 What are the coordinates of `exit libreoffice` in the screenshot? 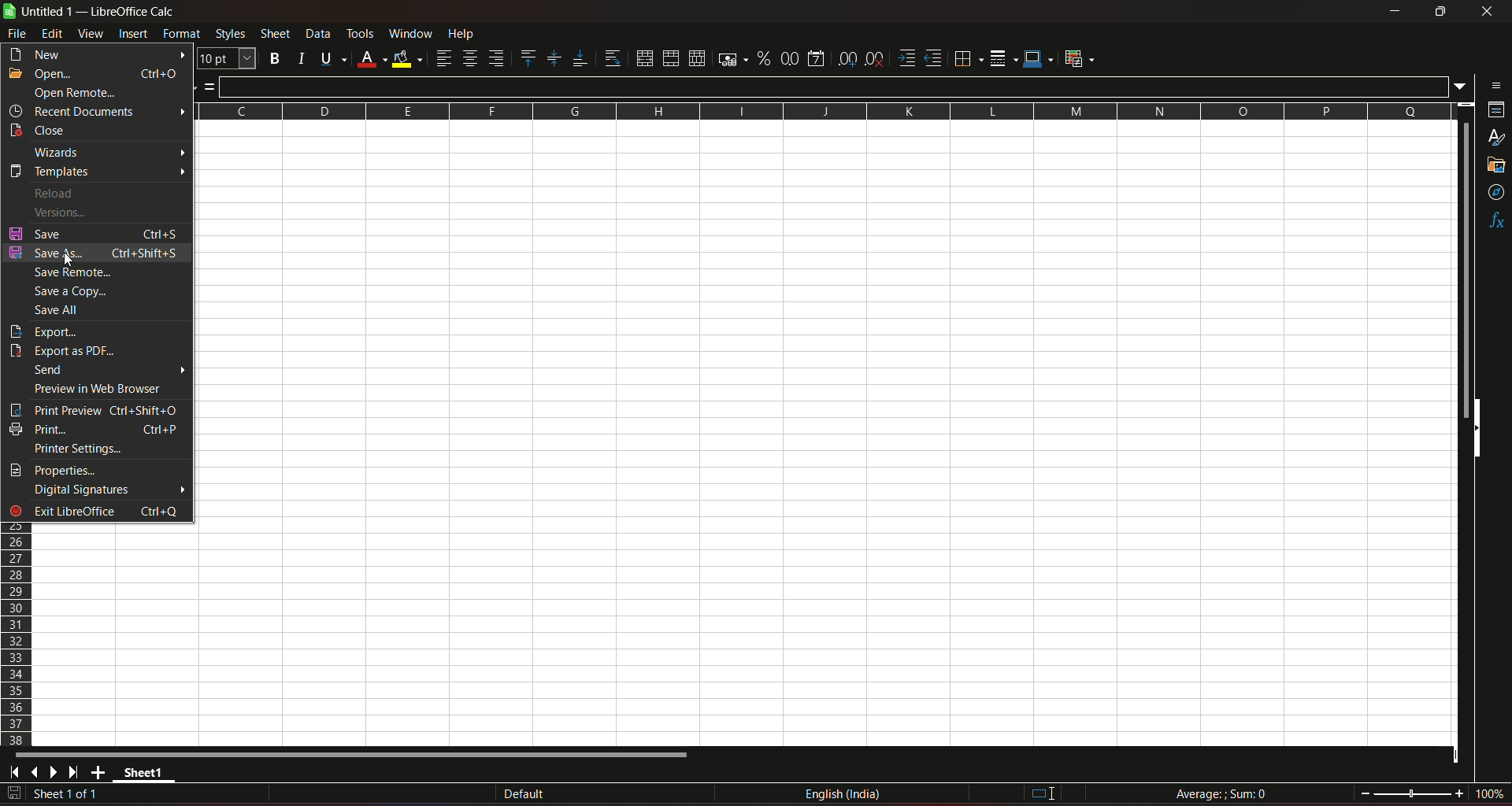 It's located at (97, 512).